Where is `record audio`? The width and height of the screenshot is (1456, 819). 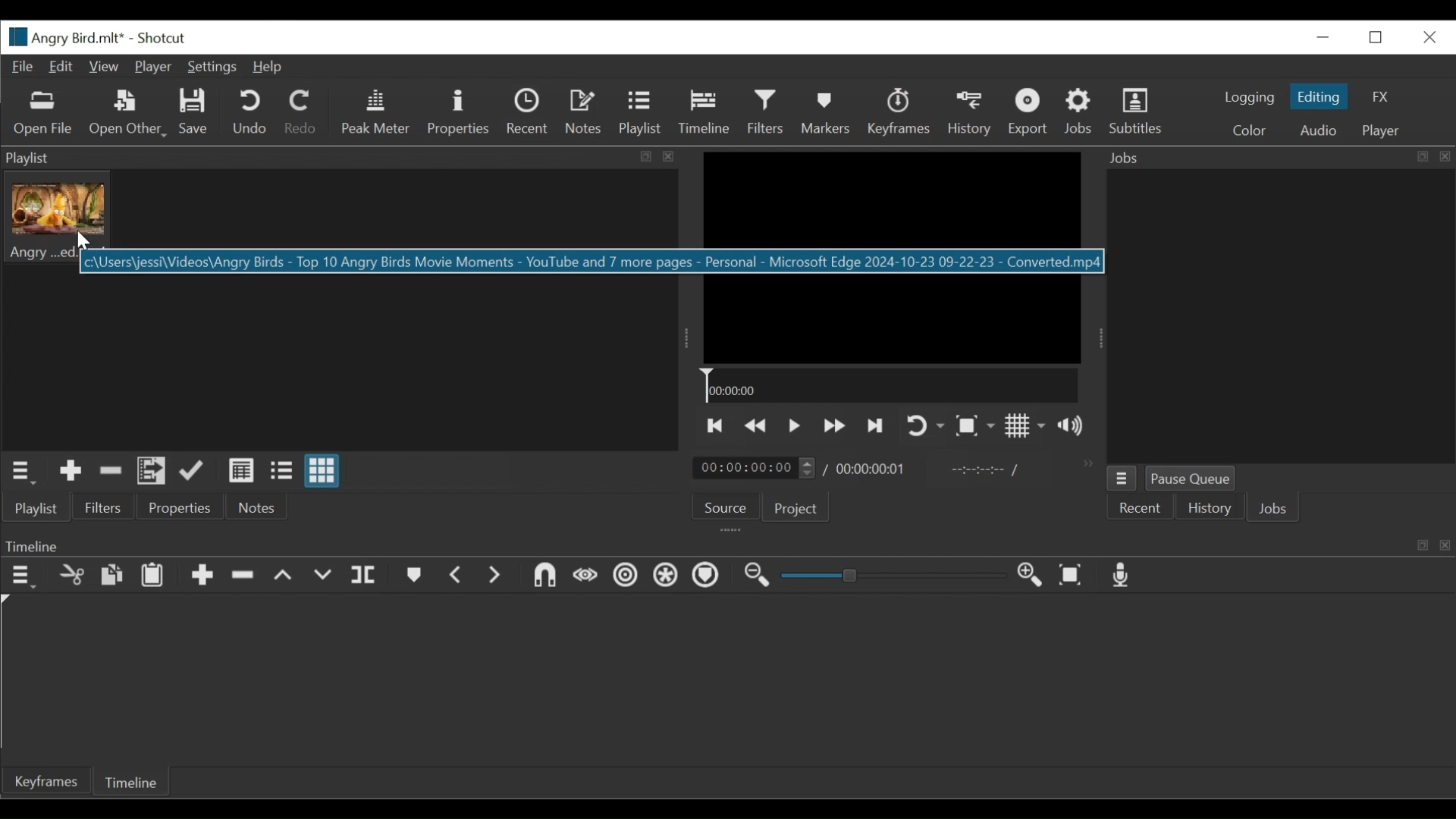 record audio is located at coordinates (1125, 576).